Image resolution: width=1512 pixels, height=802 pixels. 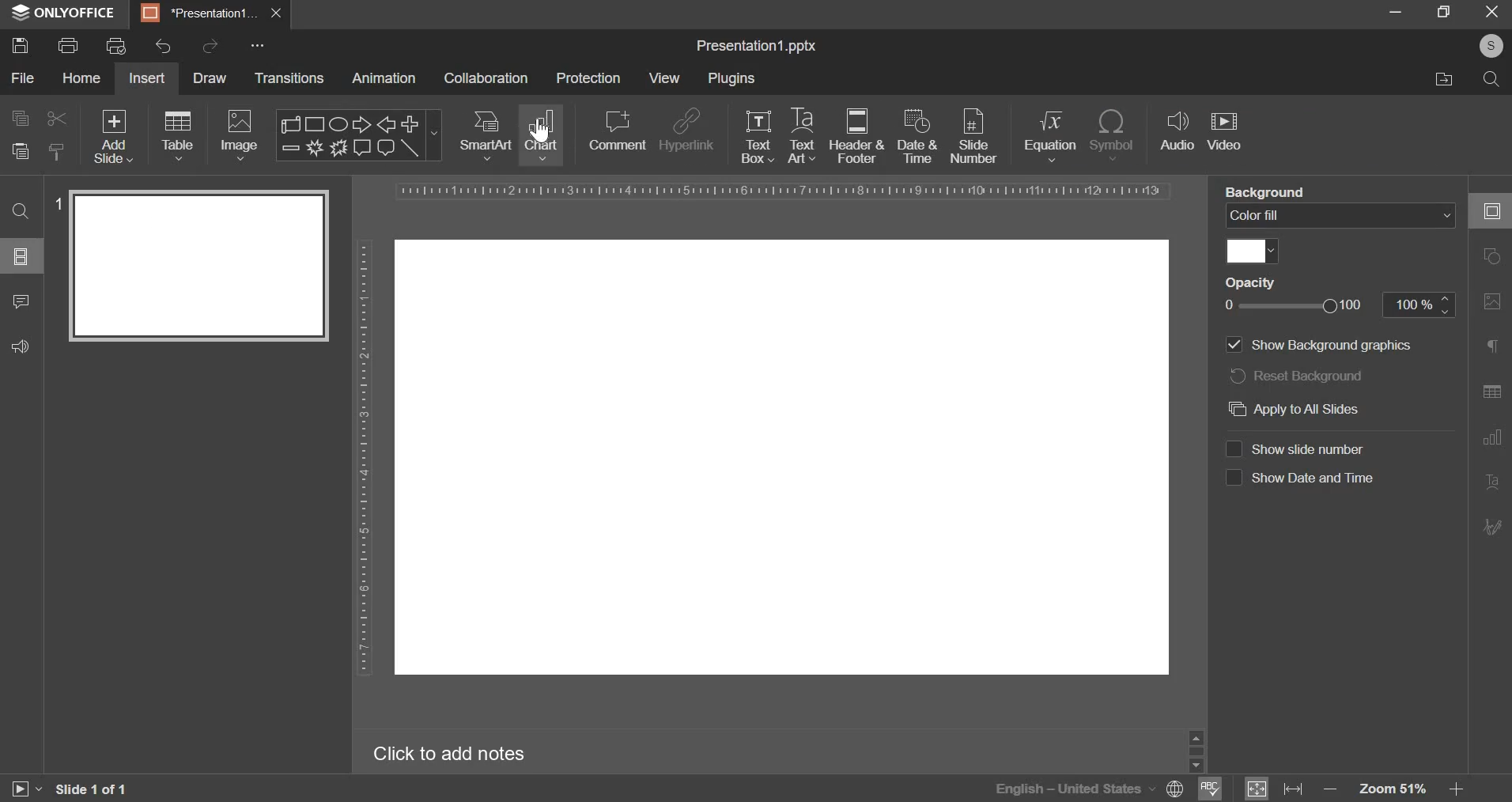 What do you see at coordinates (20, 152) in the screenshot?
I see `paste` at bounding box center [20, 152].